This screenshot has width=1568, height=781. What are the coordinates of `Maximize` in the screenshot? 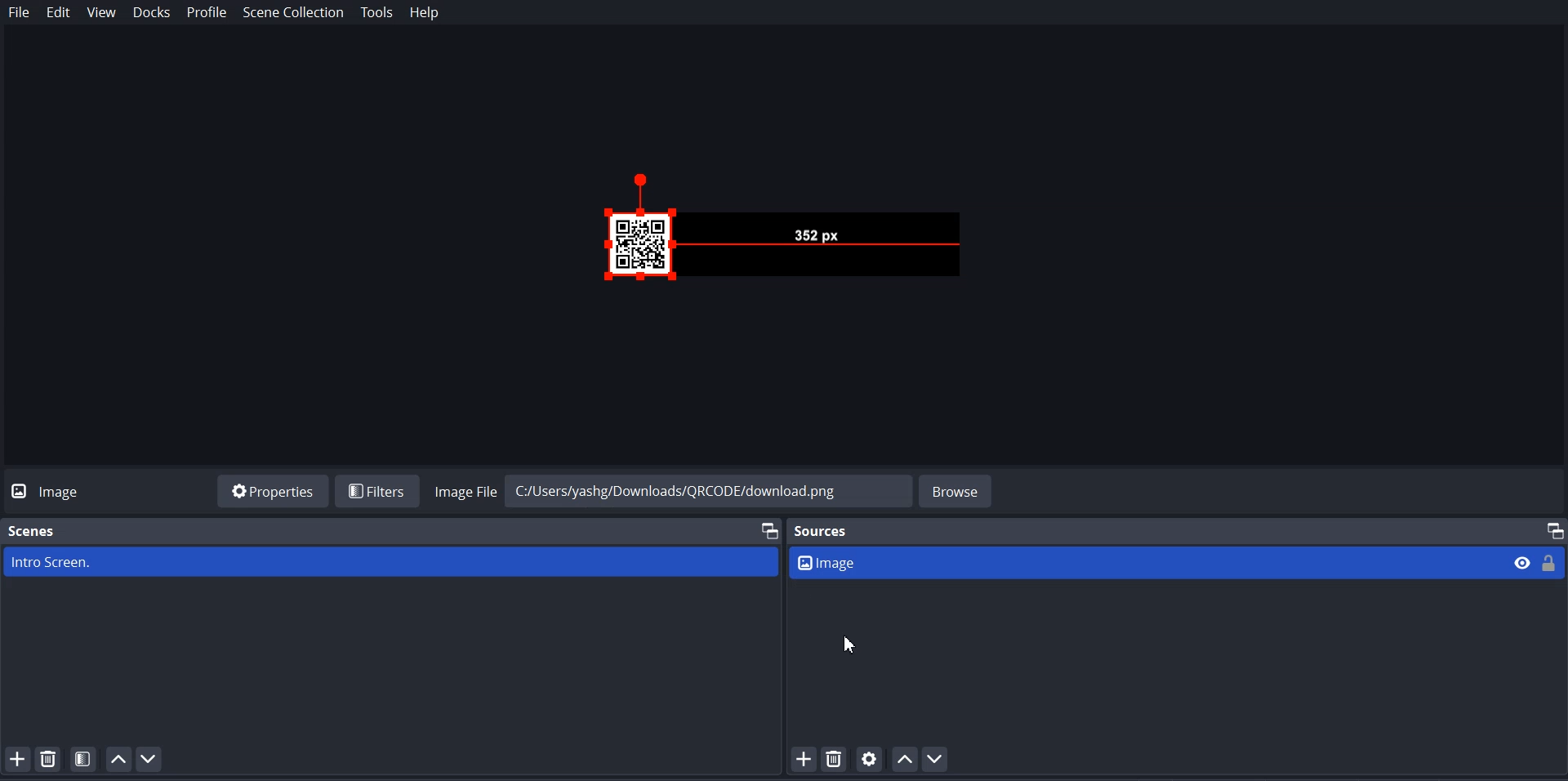 It's located at (767, 529).